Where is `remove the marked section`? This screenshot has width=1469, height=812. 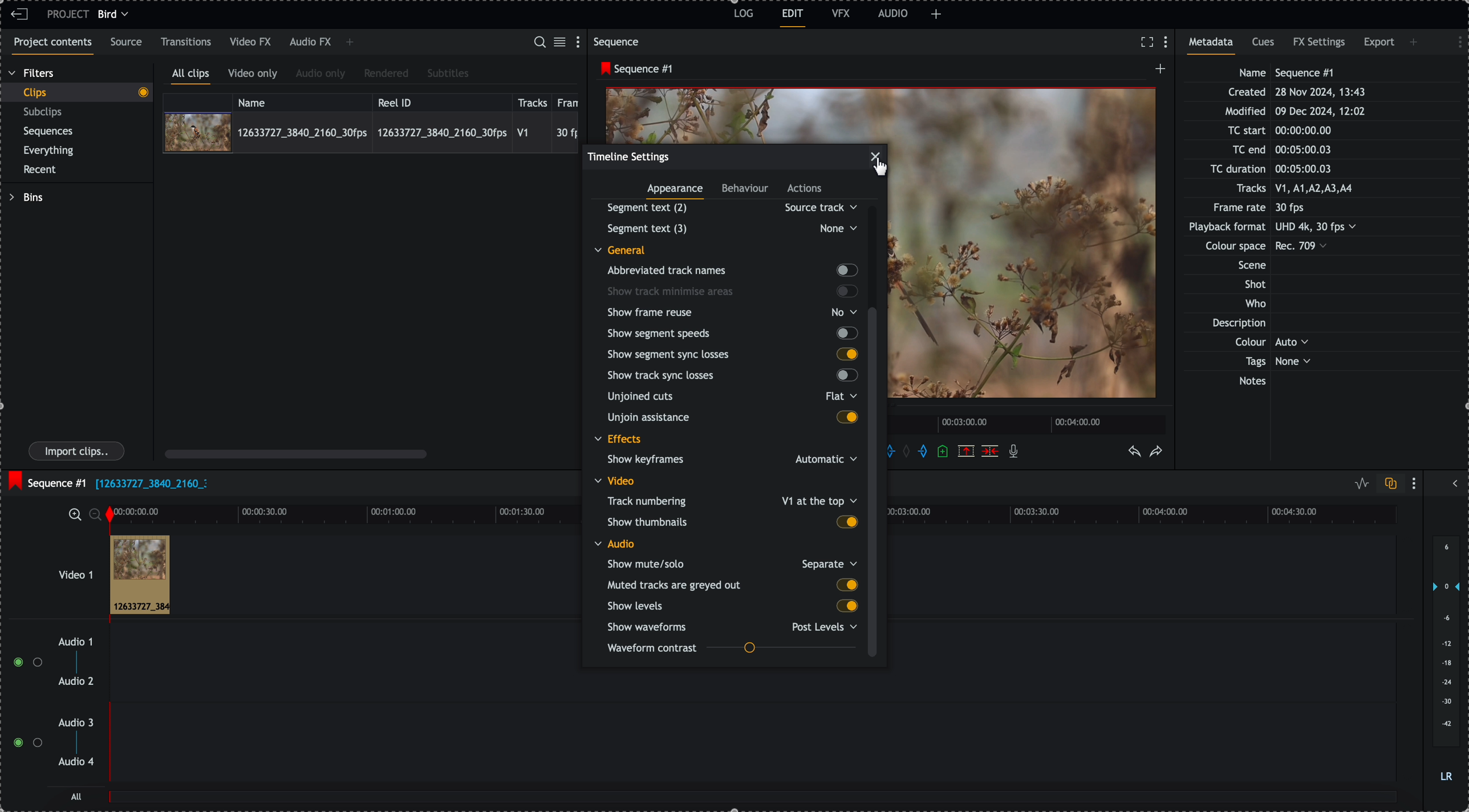 remove the marked section is located at coordinates (966, 450).